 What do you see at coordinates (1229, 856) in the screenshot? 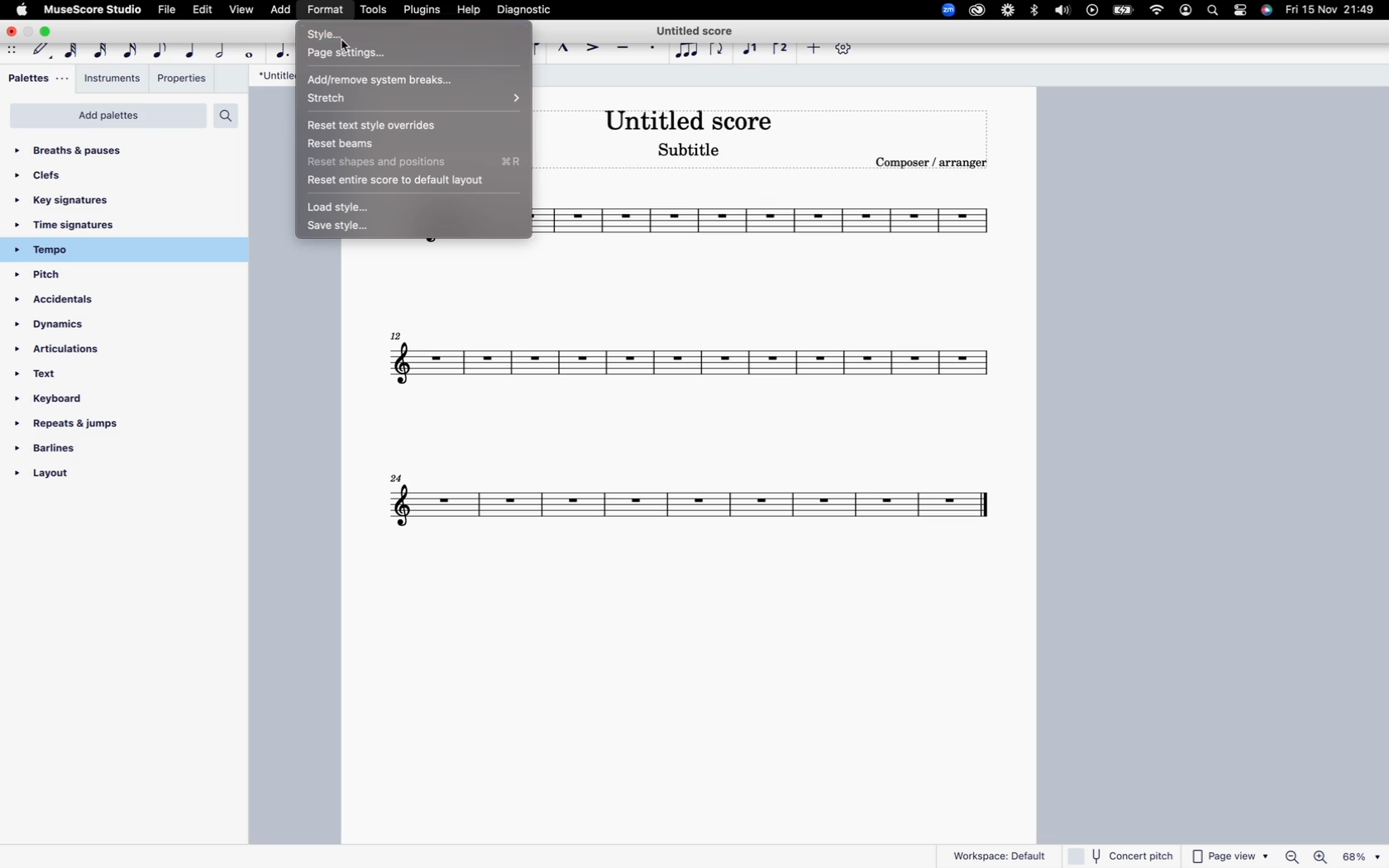
I see `page view` at bounding box center [1229, 856].